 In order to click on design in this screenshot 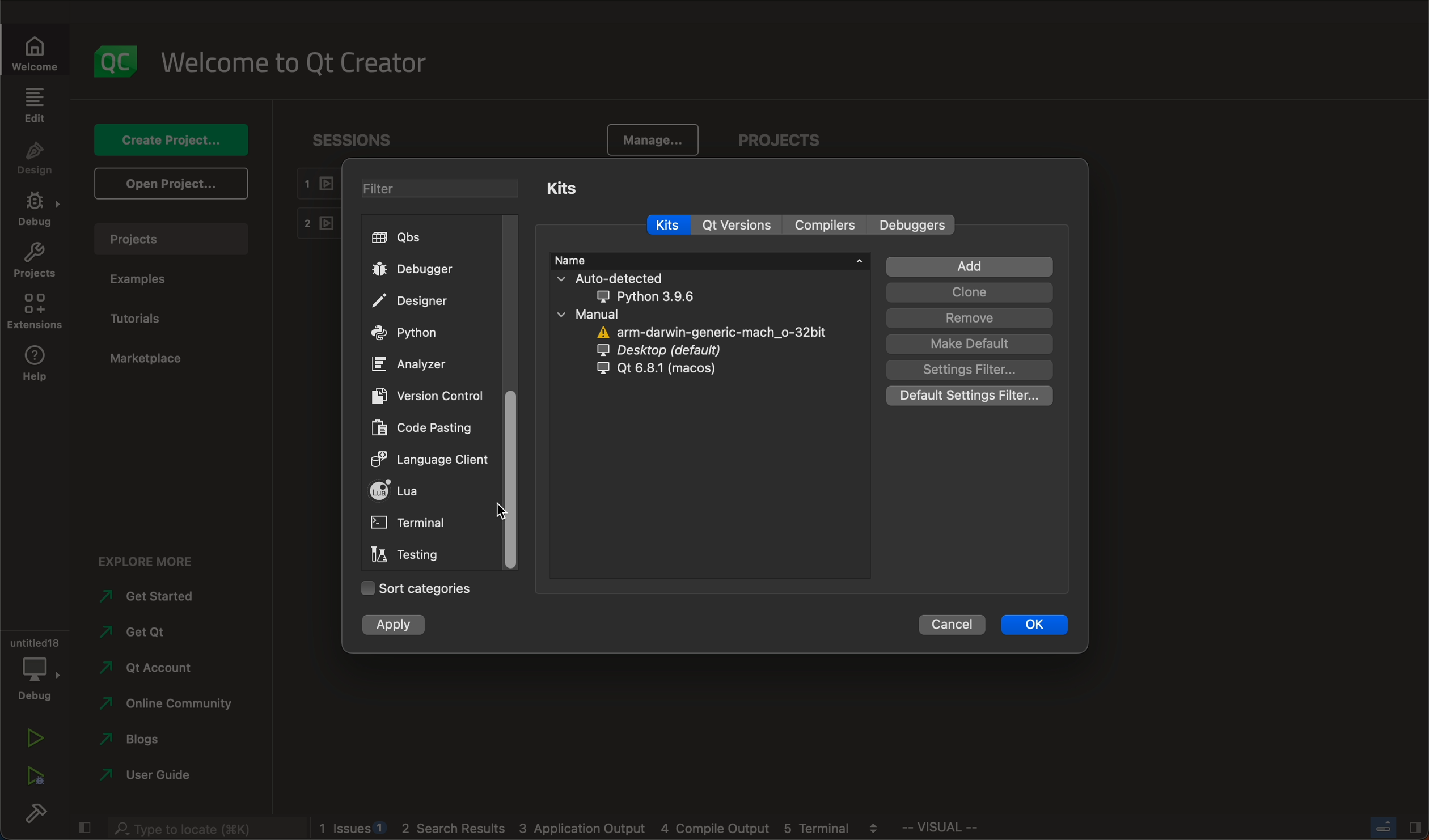, I will do `click(38, 158)`.